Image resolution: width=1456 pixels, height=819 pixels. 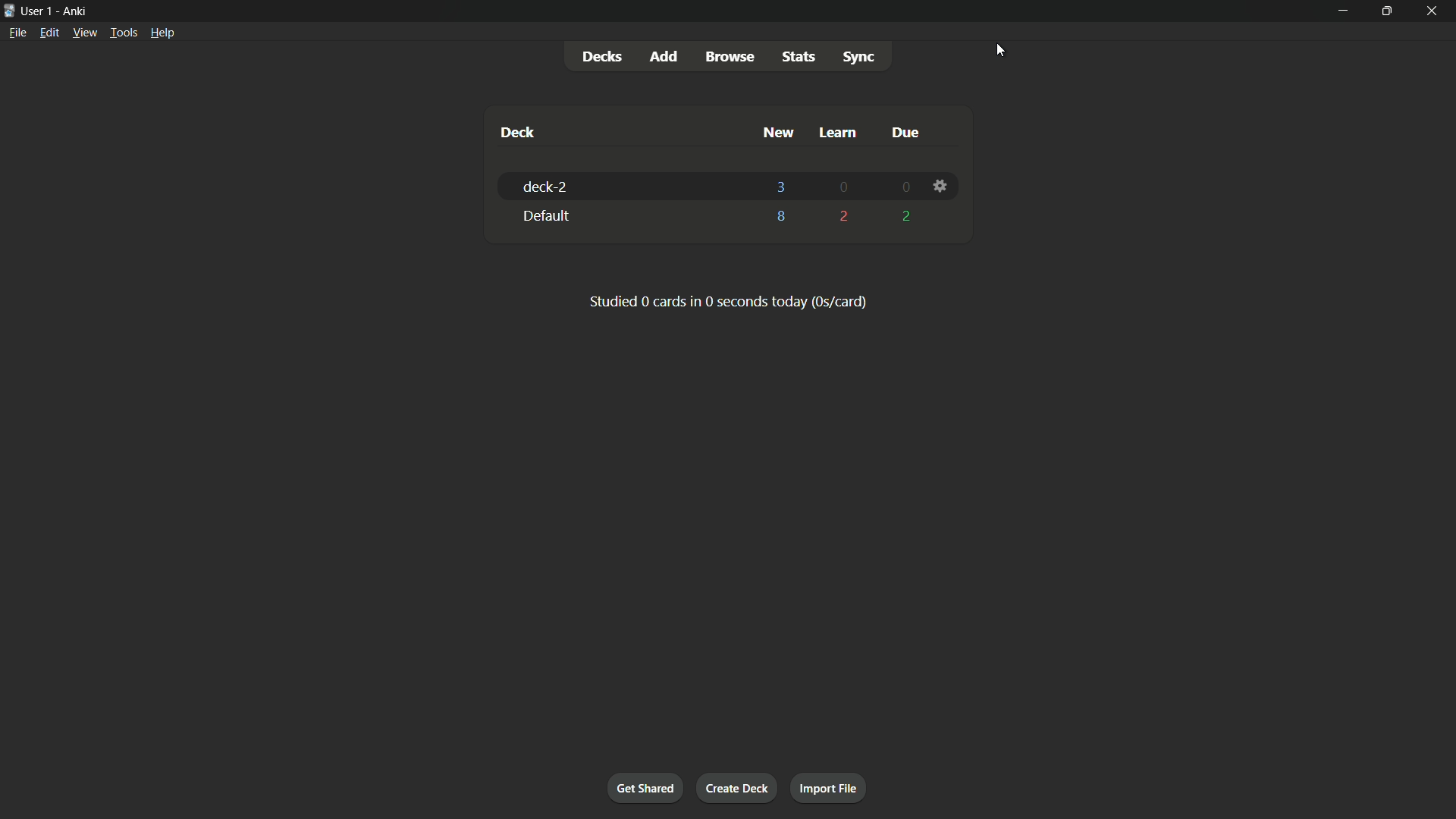 What do you see at coordinates (904, 132) in the screenshot?
I see `due` at bounding box center [904, 132].